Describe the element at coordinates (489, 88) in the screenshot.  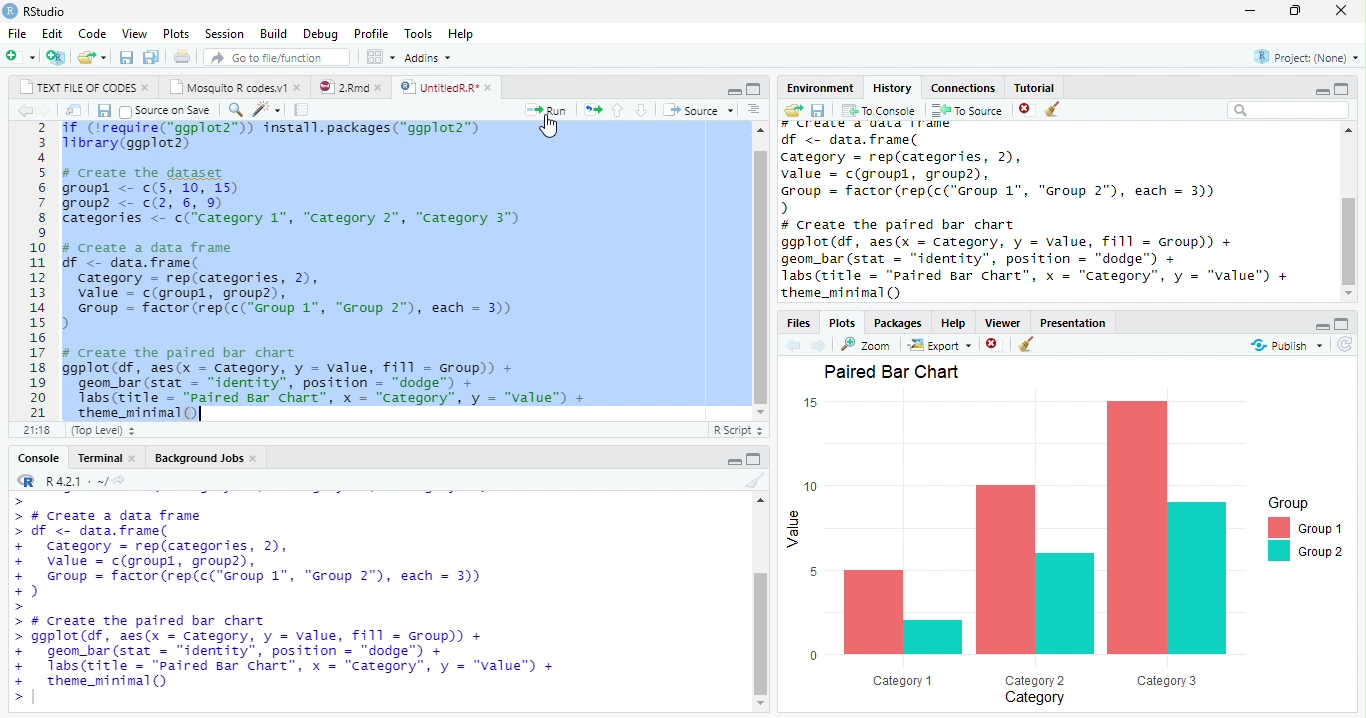
I see `close` at that location.